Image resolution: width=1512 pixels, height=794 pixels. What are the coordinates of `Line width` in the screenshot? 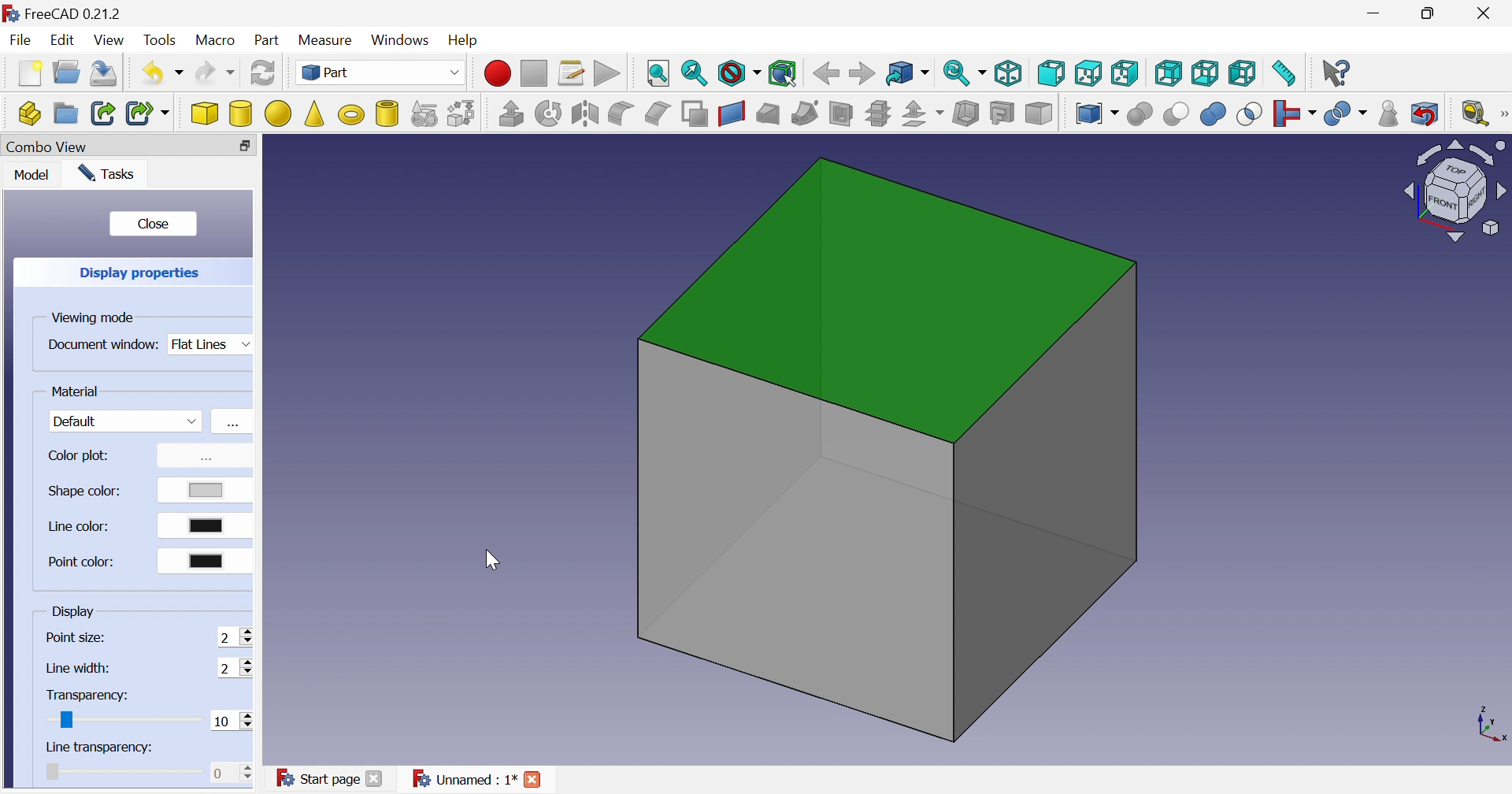 It's located at (80, 667).